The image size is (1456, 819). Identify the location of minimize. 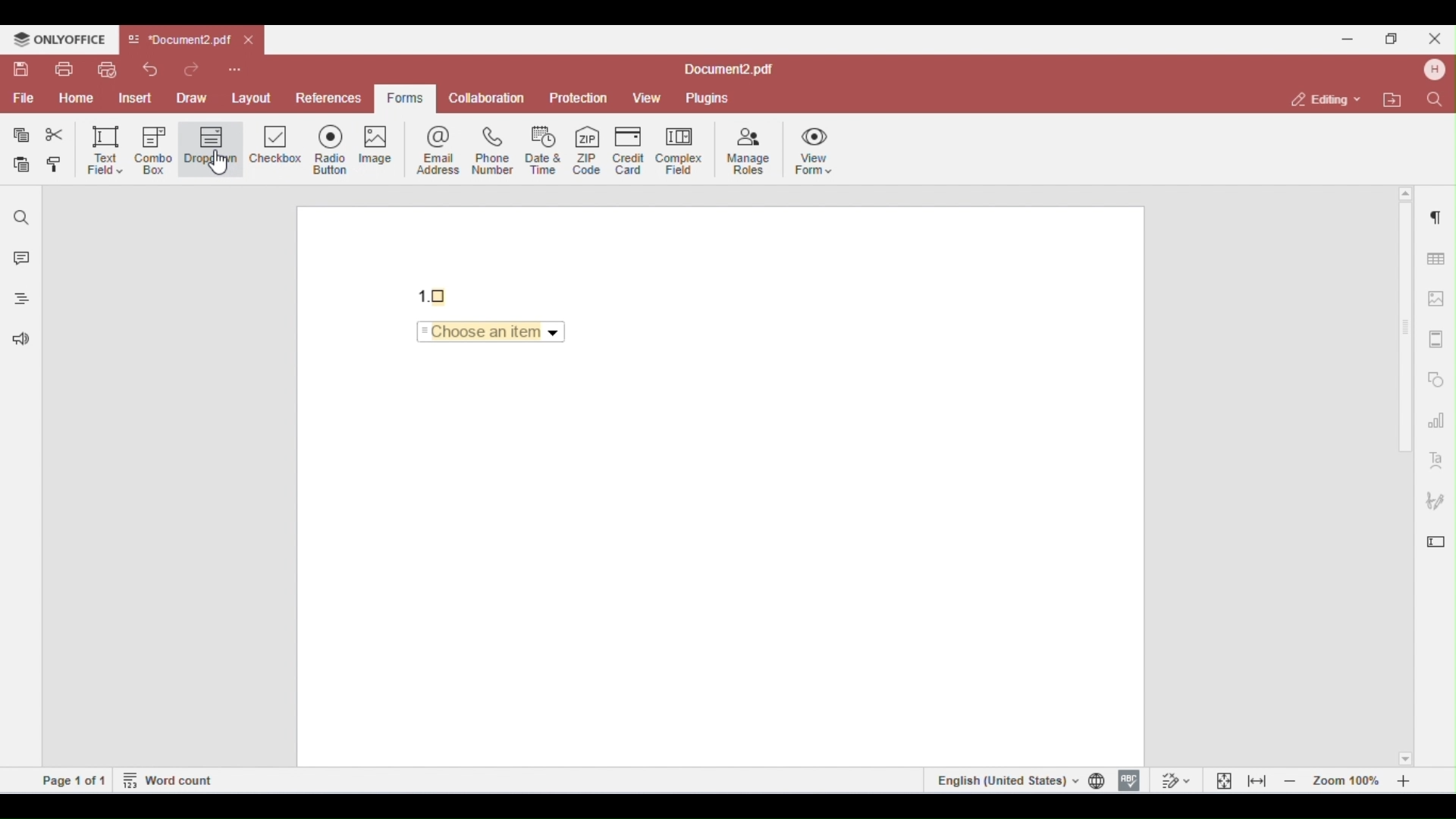
(1348, 37).